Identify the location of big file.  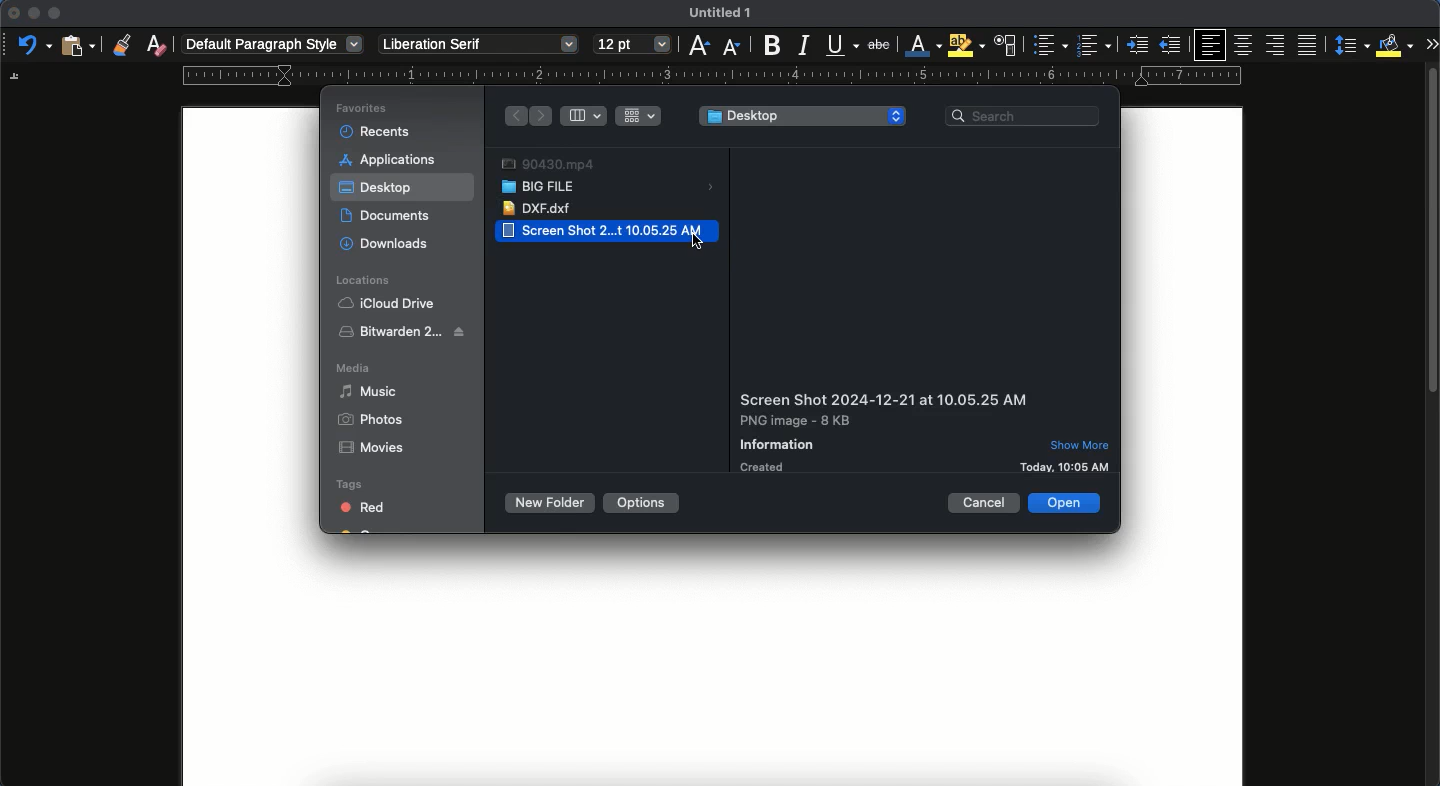
(614, 186).